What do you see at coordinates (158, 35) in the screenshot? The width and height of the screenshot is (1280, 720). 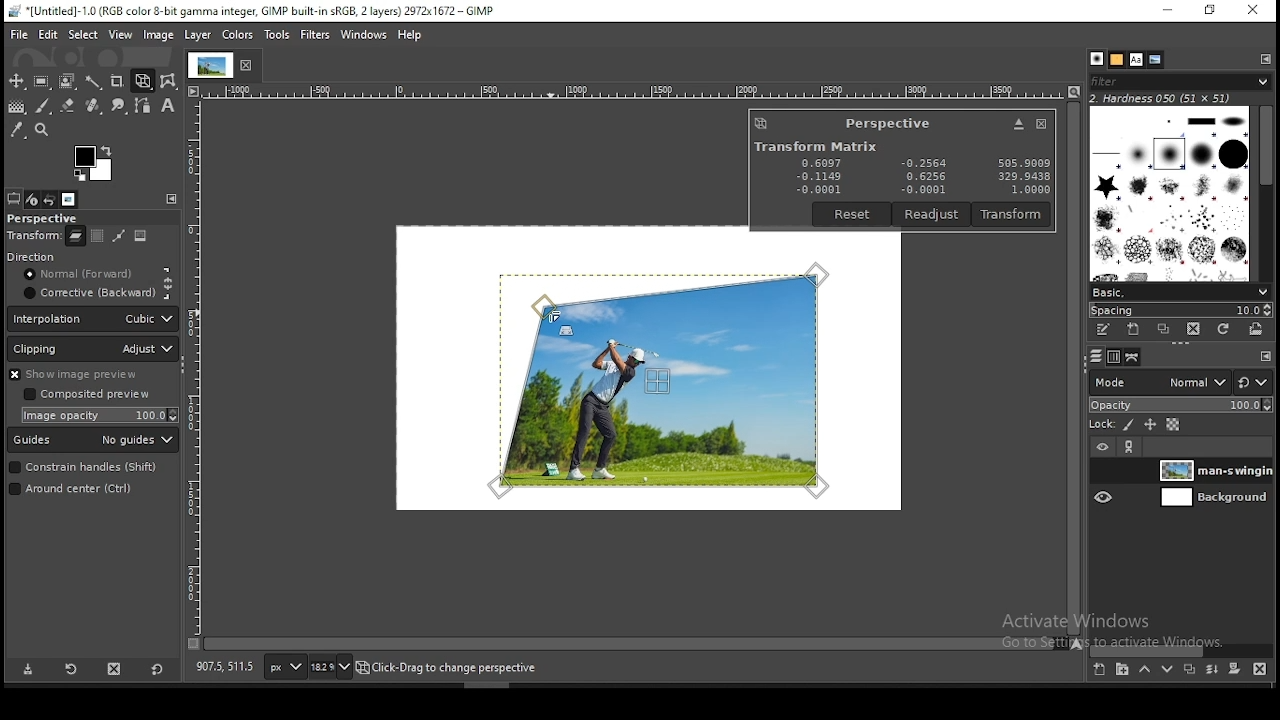 I see `image` at bounding box center [158, 35].